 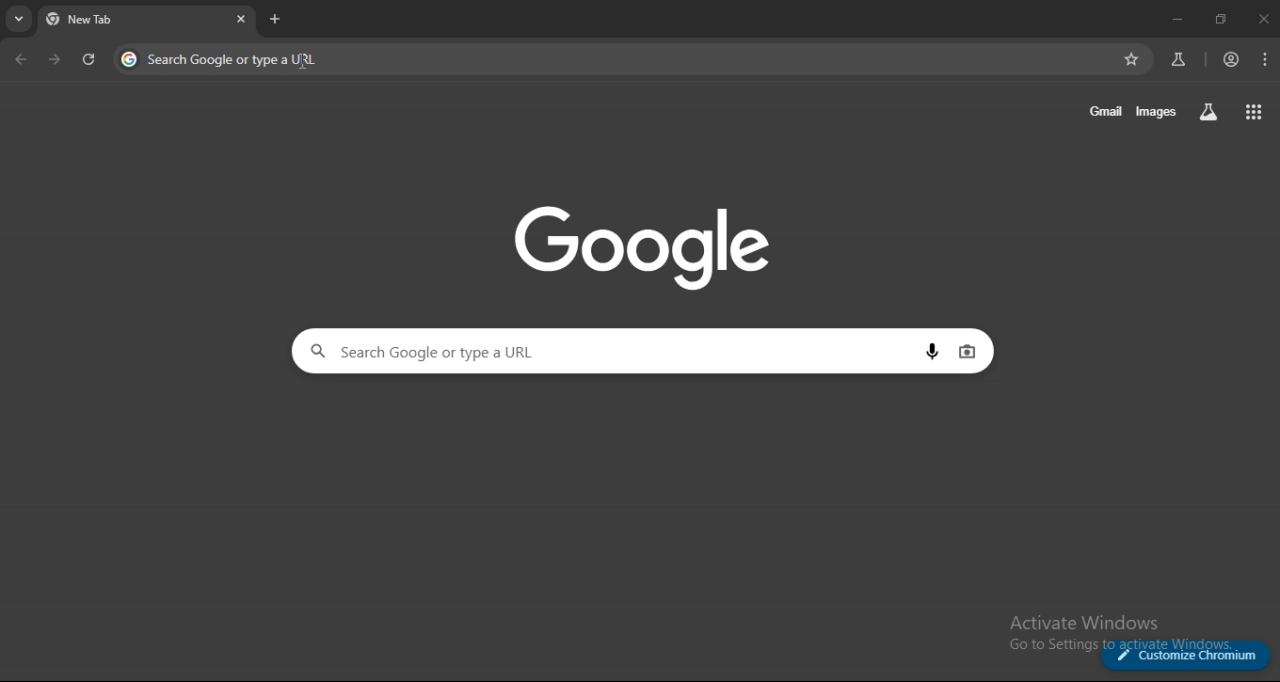 What do you see at coordinates (1262, 20) in the screenshot?
I see `close` at bounding box center [1262, 20].